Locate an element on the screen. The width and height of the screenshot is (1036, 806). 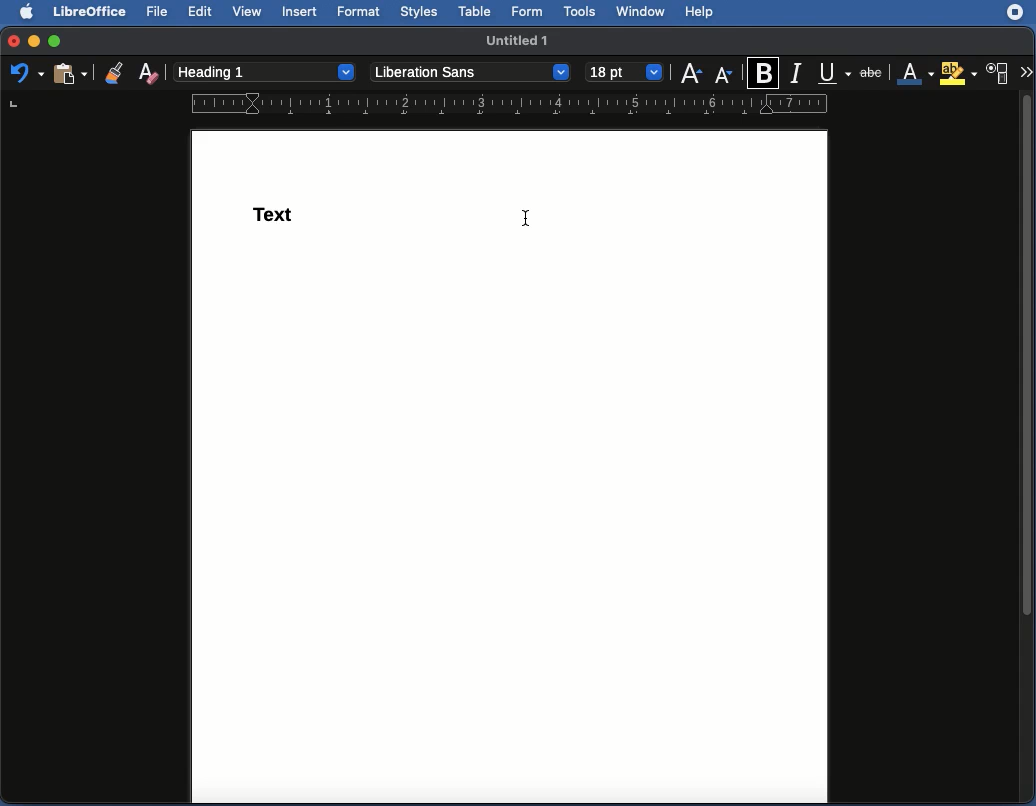
Styles is located at coordinates (418, 15).